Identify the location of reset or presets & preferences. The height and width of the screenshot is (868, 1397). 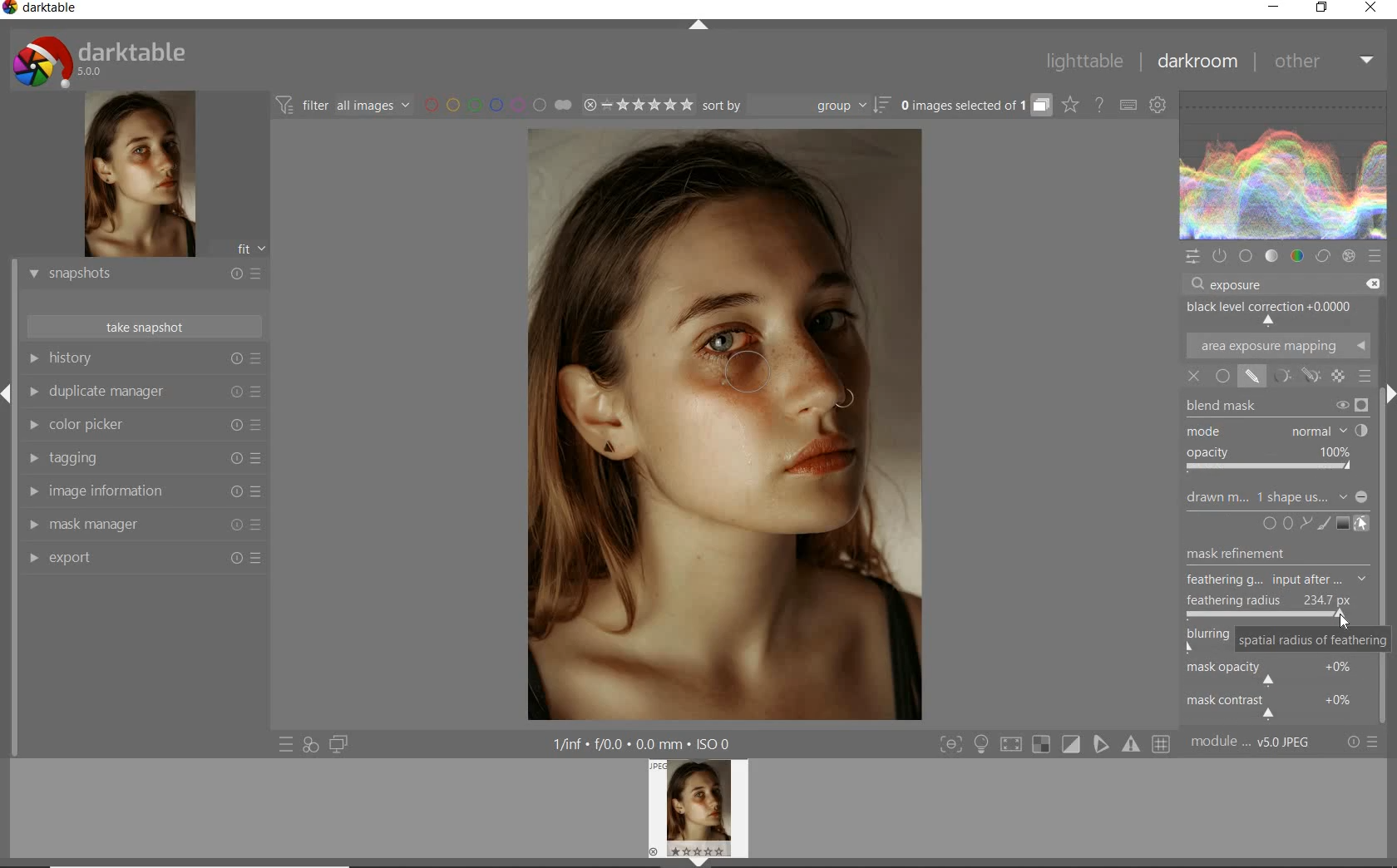
(1363, 744).